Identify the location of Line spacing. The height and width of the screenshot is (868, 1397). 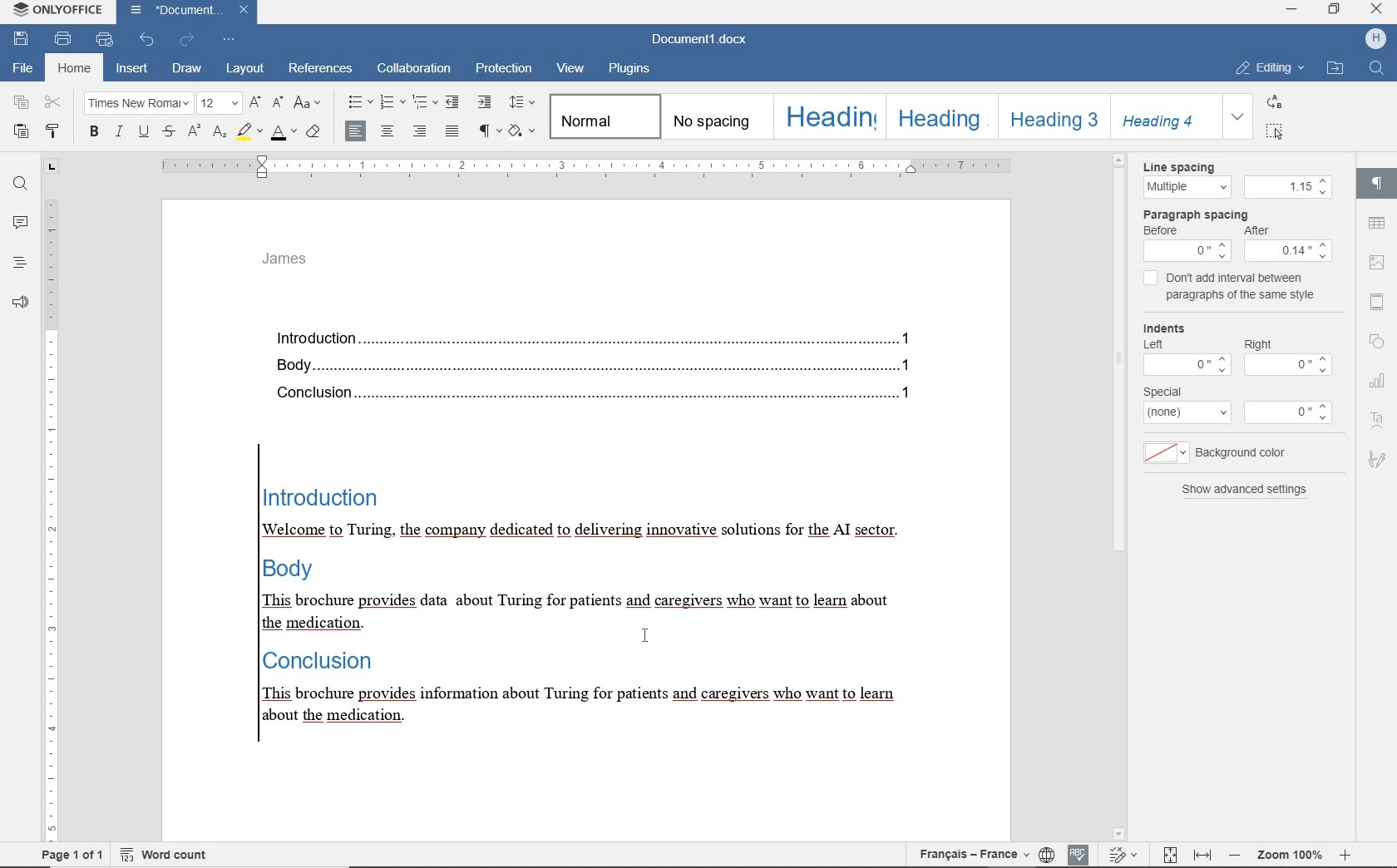
(1192, 166).